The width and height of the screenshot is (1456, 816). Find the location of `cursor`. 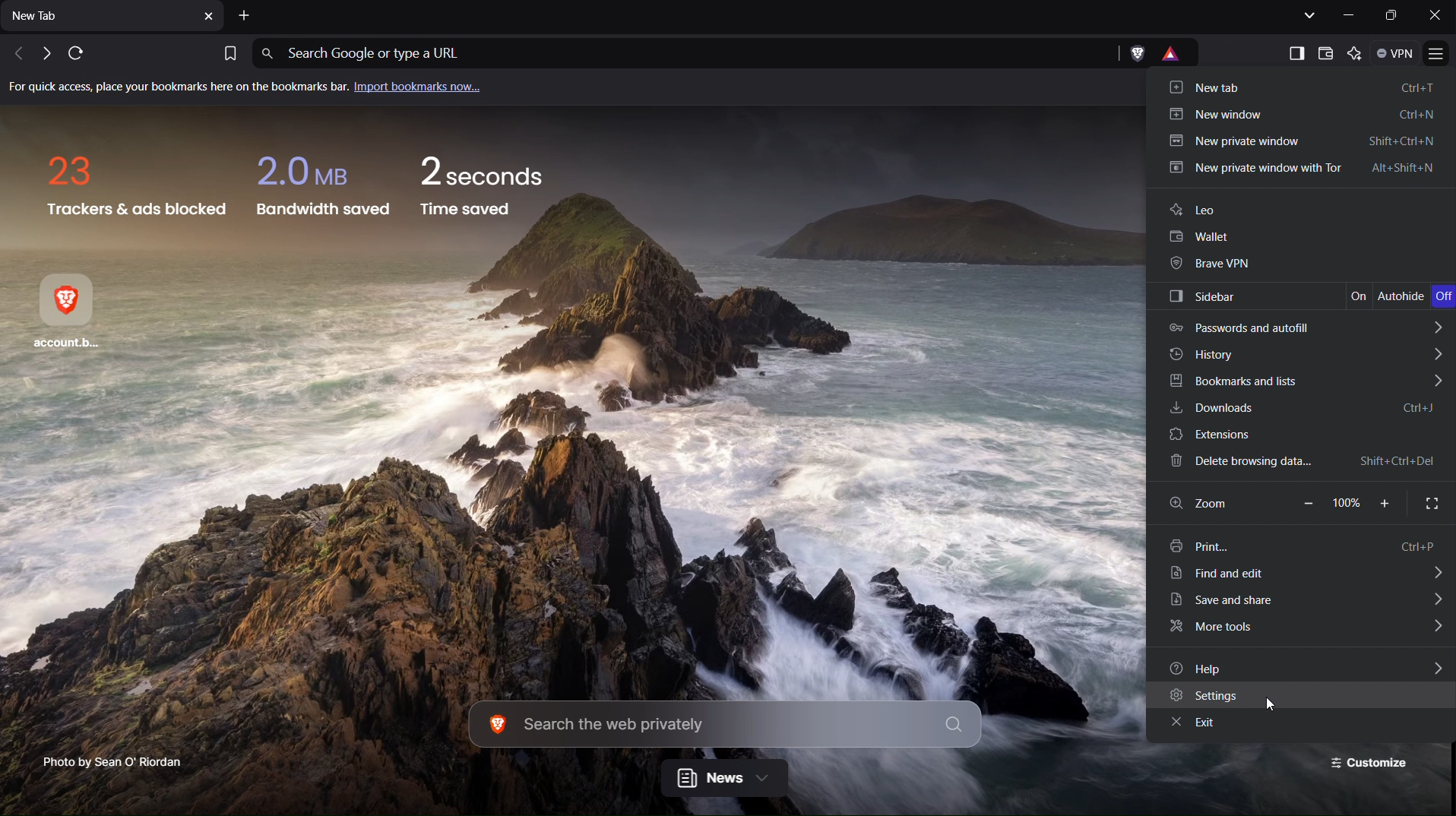

cursor is located at coordinates (1274, 702).